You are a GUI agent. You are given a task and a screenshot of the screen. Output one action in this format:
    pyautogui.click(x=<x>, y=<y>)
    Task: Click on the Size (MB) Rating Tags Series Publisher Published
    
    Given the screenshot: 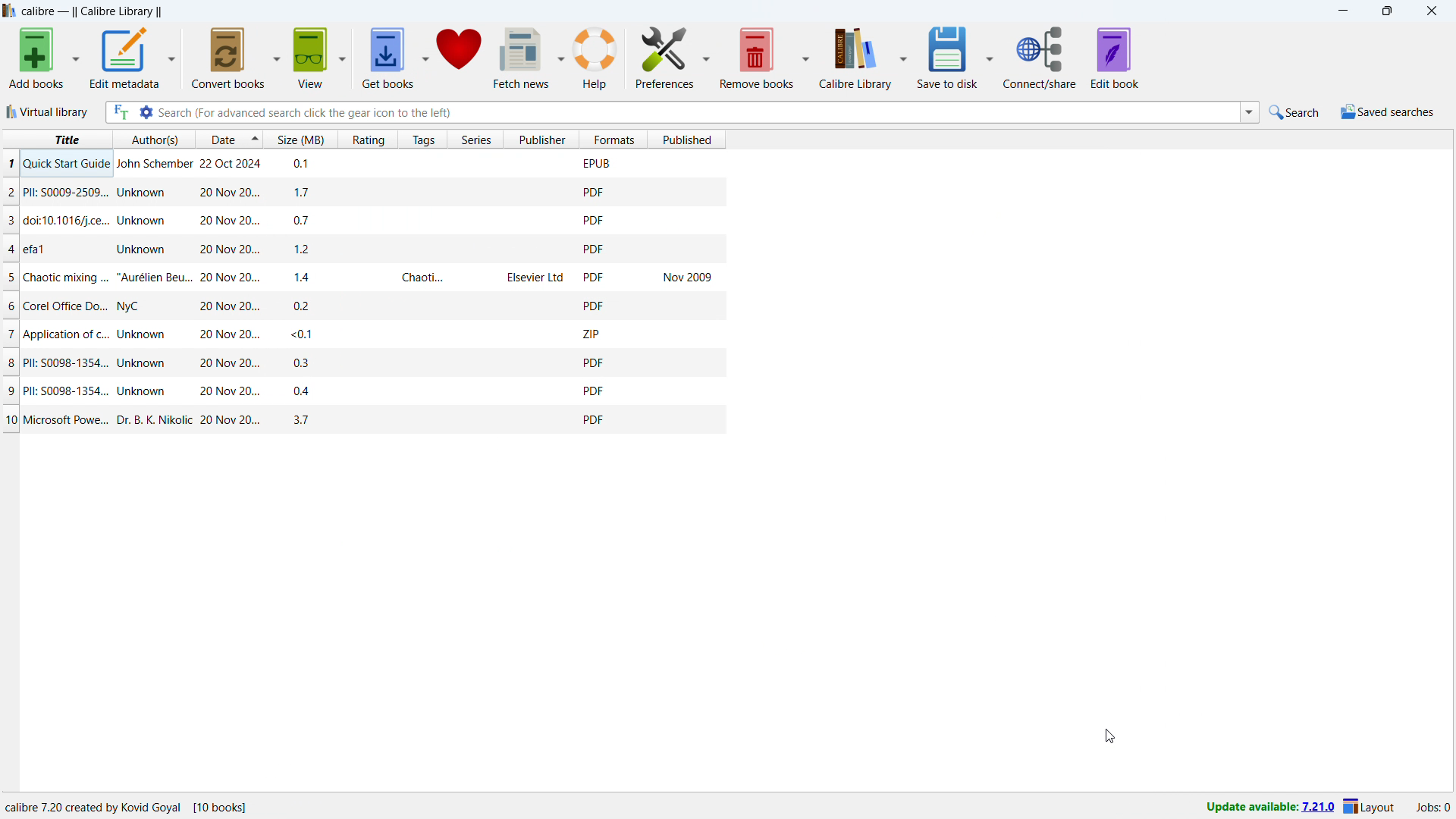 What is the action you would take?
    pyautogui.click(x=491, y=140)
    